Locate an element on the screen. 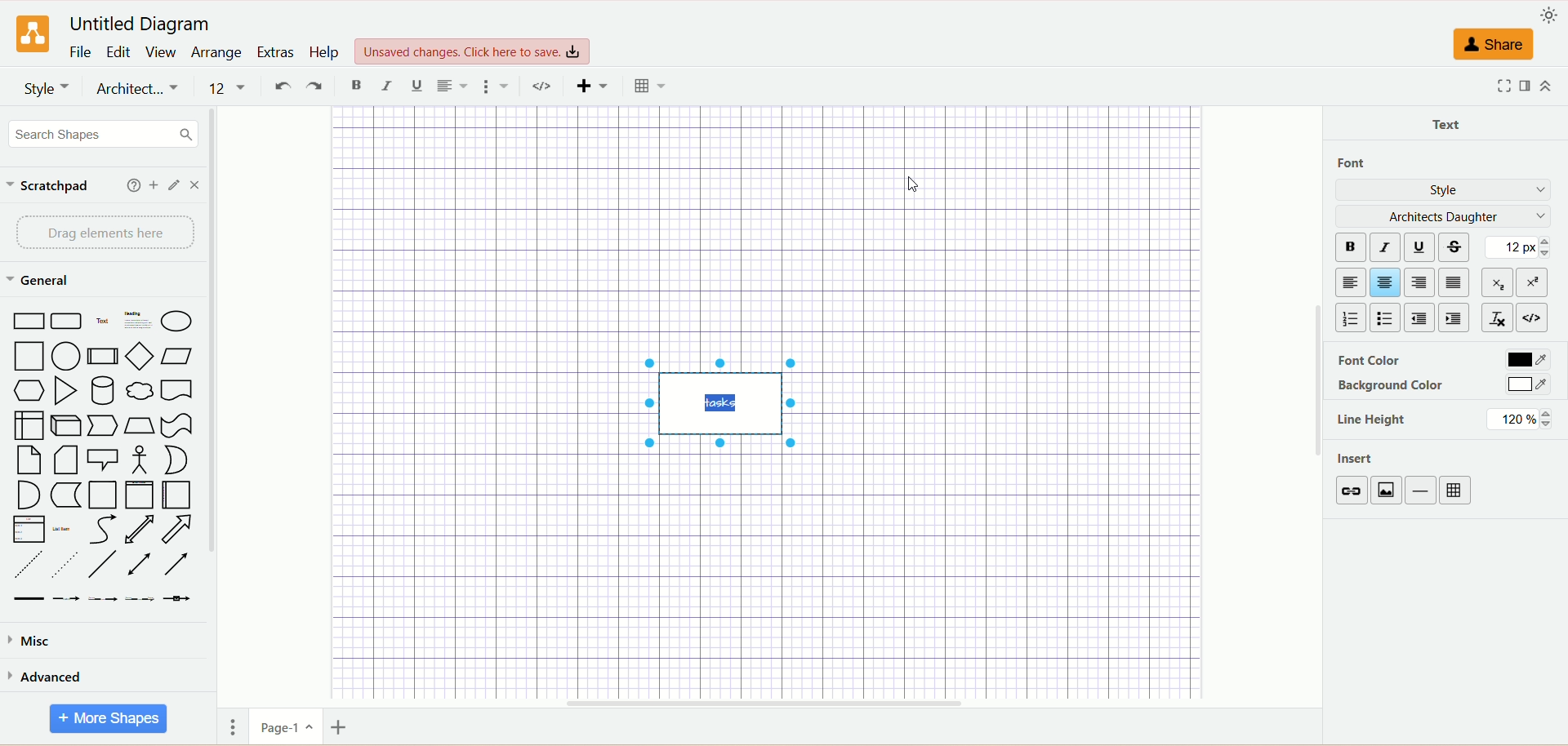  Hexagon is located at coordinates (29, 392).